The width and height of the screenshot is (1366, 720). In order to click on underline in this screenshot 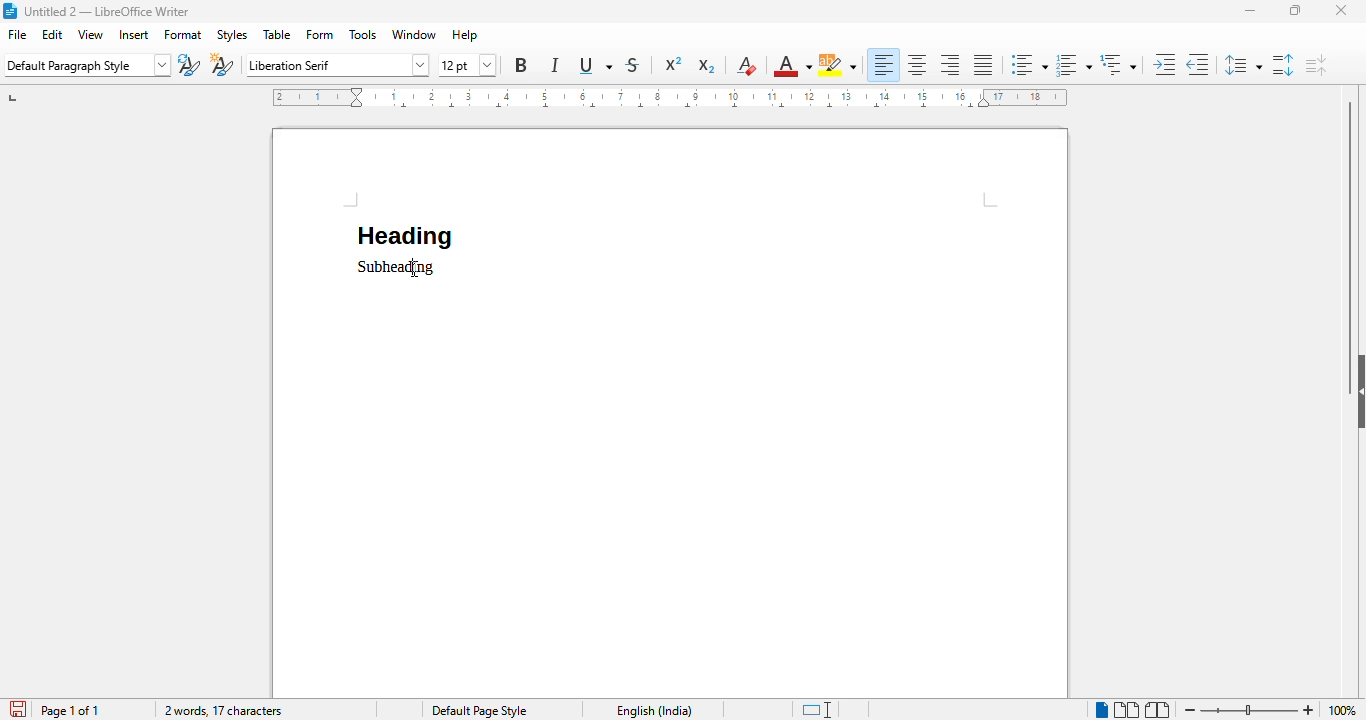, I will do `click(593, 66)`.